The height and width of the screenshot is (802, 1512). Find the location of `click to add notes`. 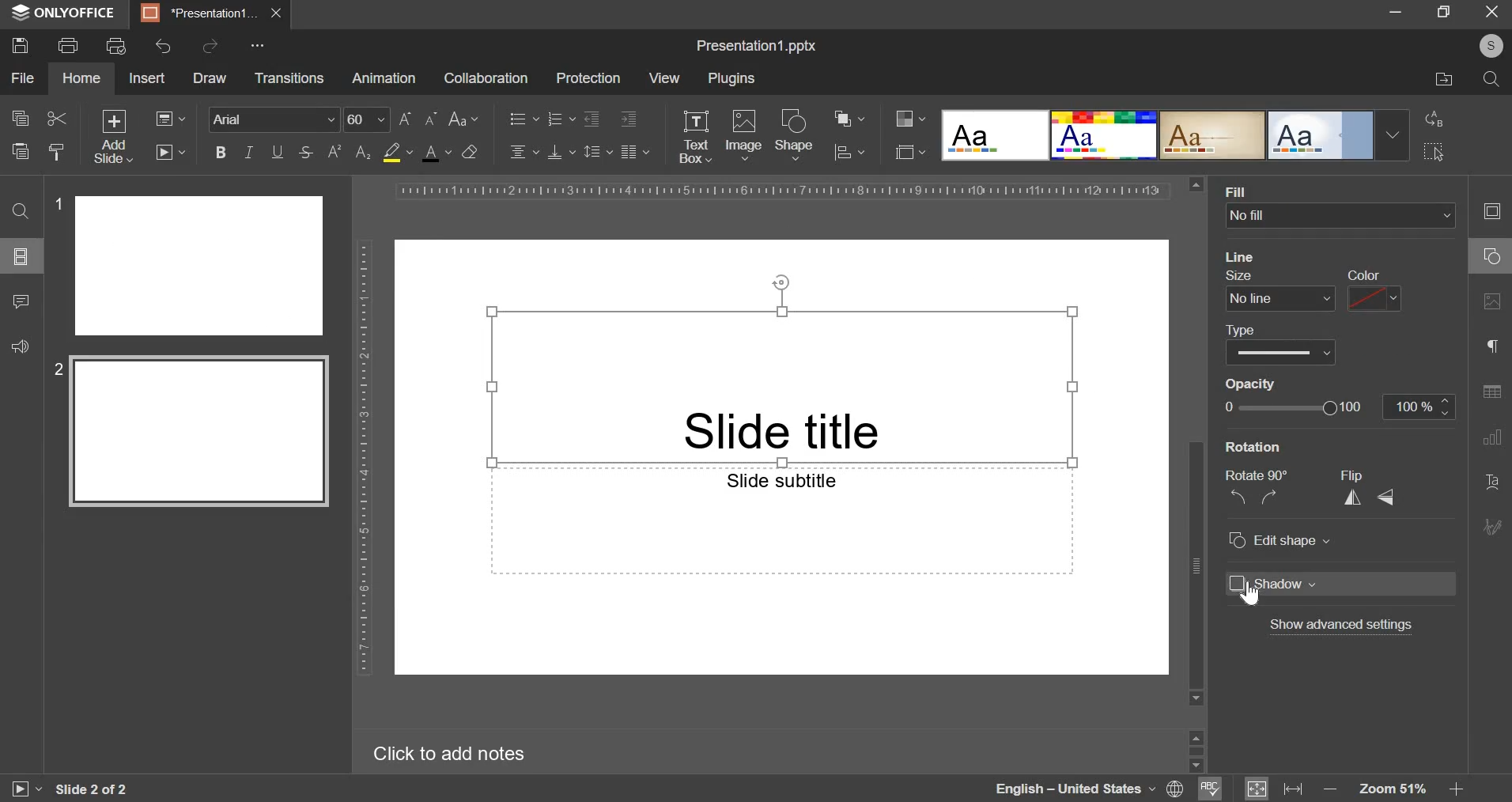

click to add notes is located at coordinates (460, 753).